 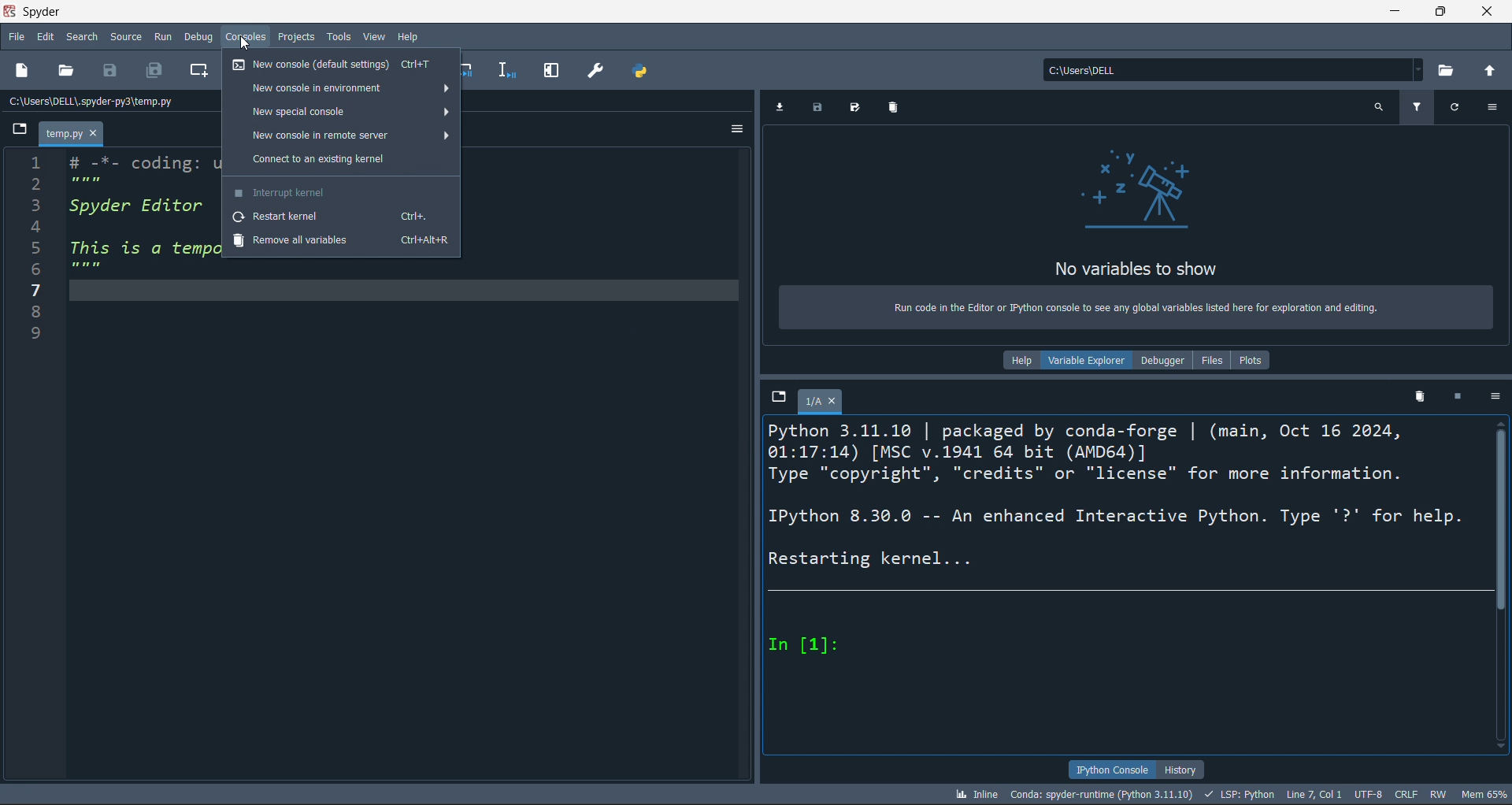 What do you see at coordinates (339, 66) in the screenshot?
I see `new console (default settings) ` at bounding box center [339, 66].